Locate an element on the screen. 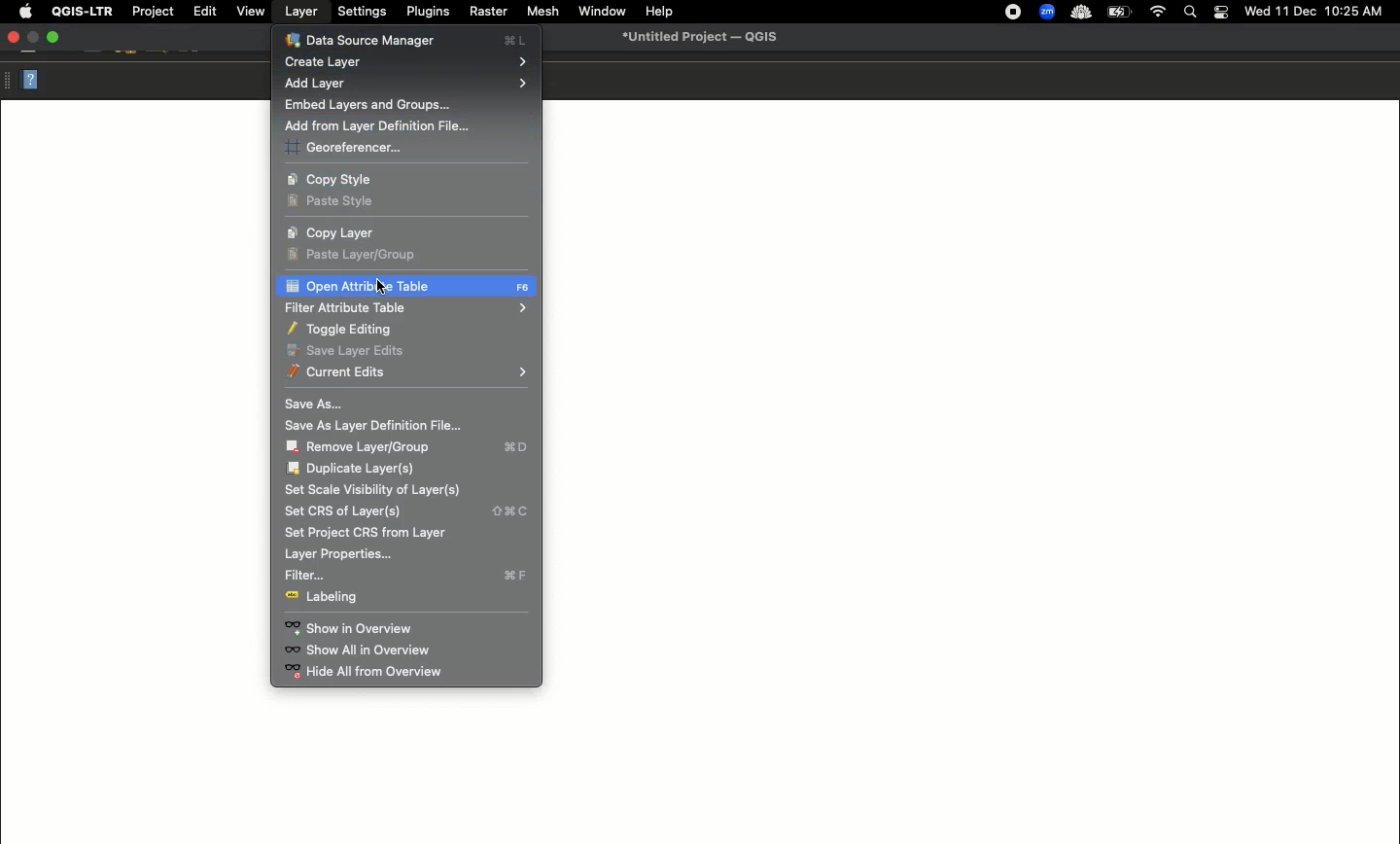  Show all in overview is located at coordinates (361, 651).